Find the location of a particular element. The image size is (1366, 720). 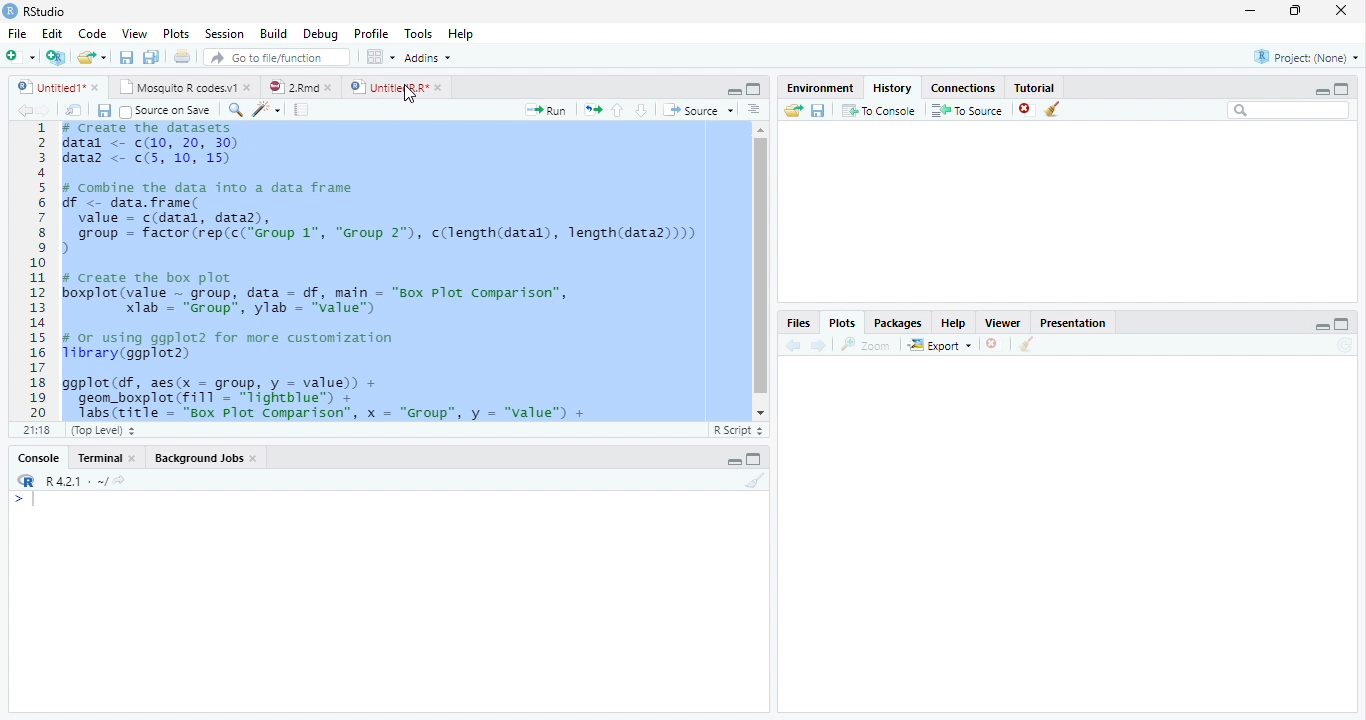

Load history from an existing file is located at coordinates (793, 111).